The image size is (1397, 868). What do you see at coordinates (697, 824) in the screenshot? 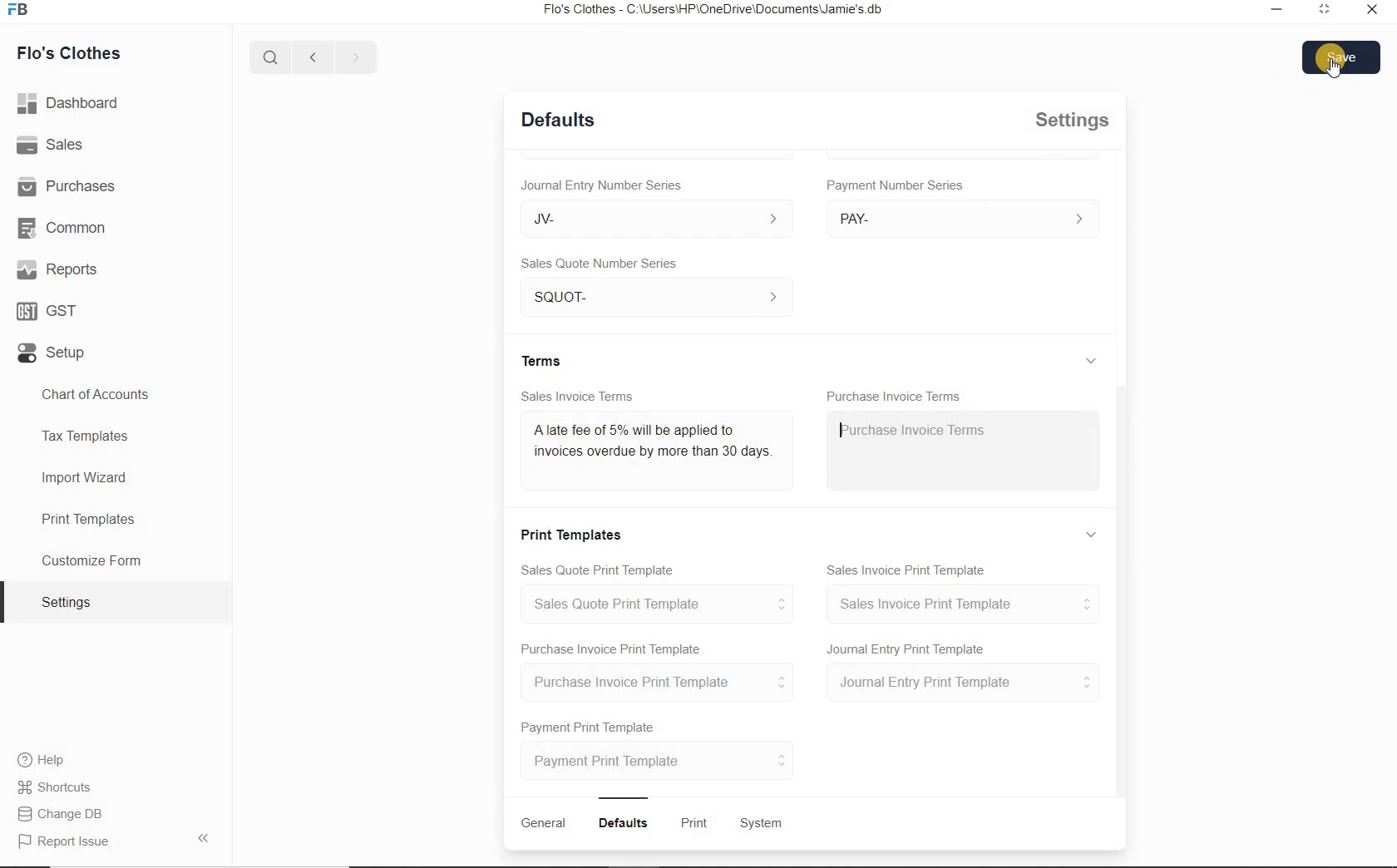
I see `Print` at bounding box center [697, 824].